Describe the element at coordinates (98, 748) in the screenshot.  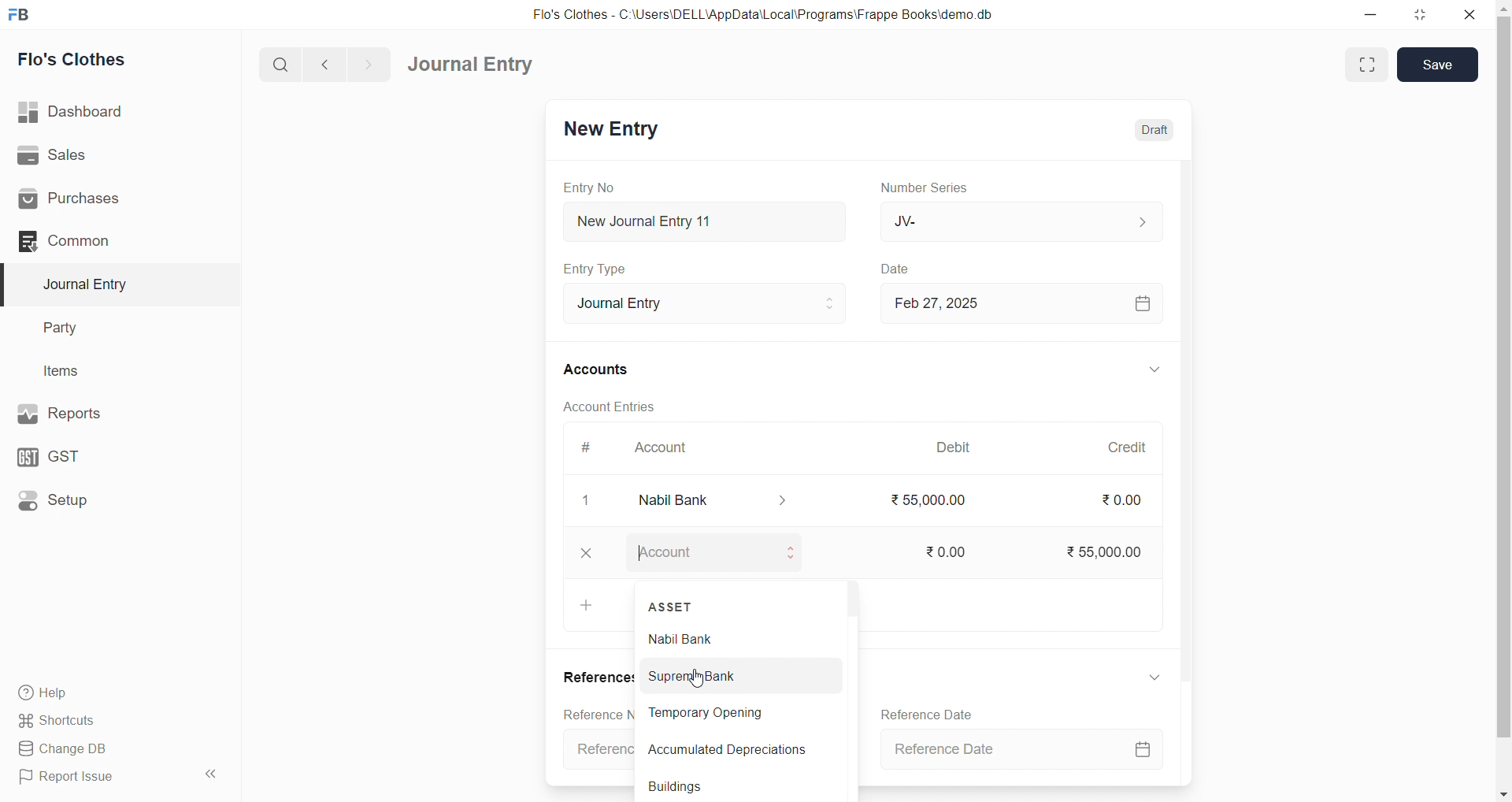
I see `Change DB` at that location.